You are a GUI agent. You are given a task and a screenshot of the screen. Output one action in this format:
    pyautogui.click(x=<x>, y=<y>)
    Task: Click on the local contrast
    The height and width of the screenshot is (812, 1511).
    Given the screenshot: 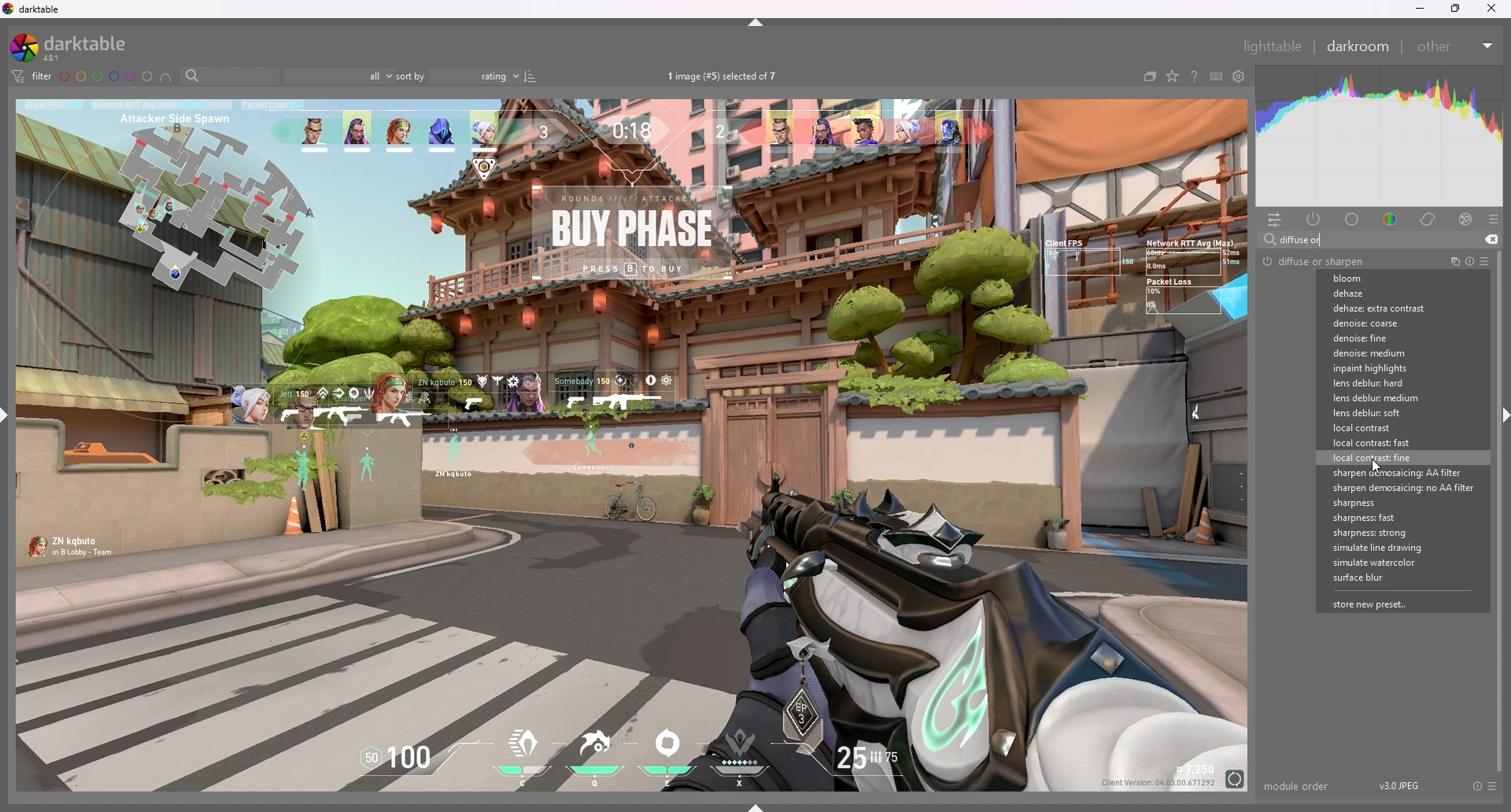 What is the action you would take?
    pyautogui.click(x=1384, y=427)
    